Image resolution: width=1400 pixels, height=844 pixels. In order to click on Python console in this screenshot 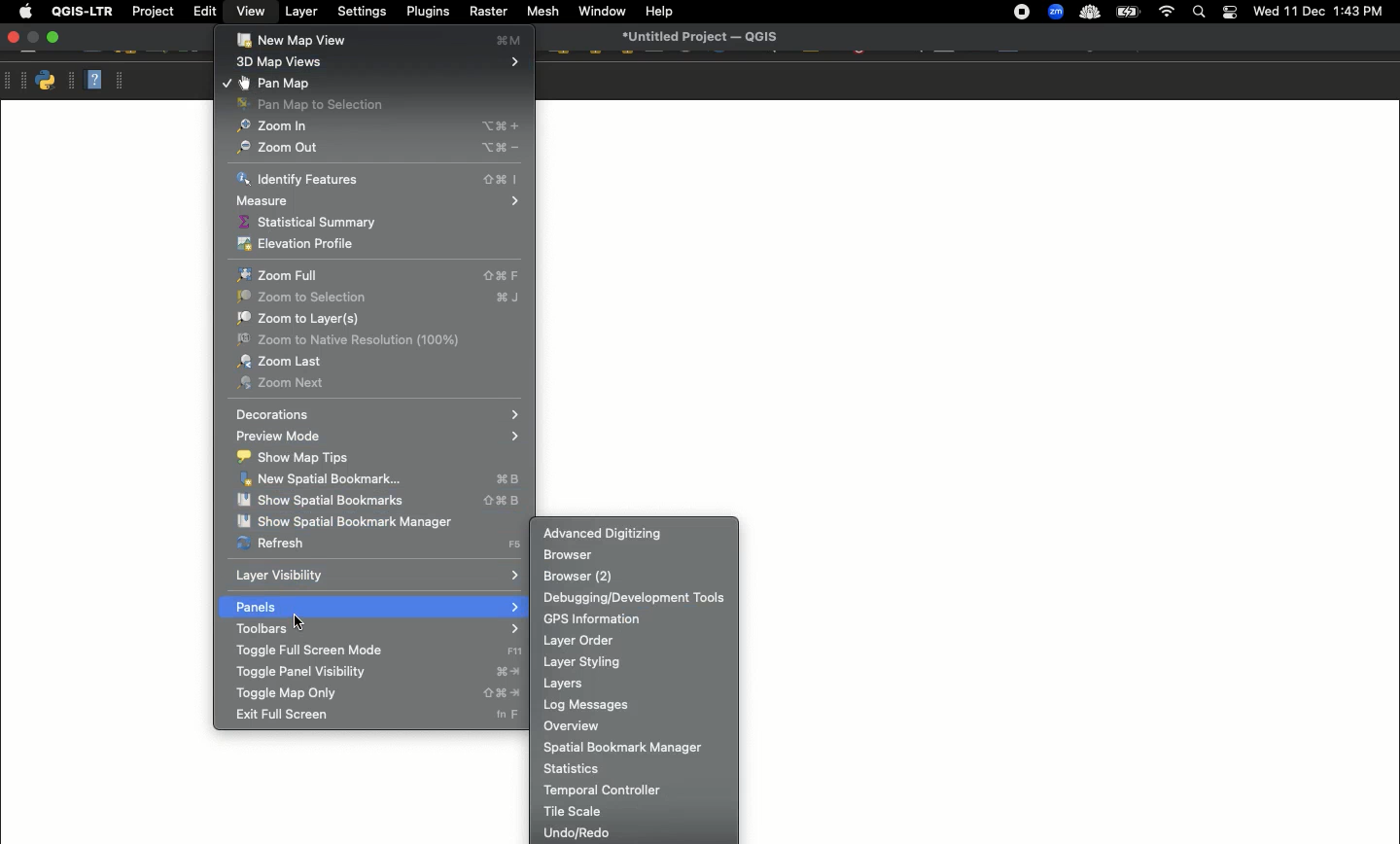, I will do `click(46, 81)`.